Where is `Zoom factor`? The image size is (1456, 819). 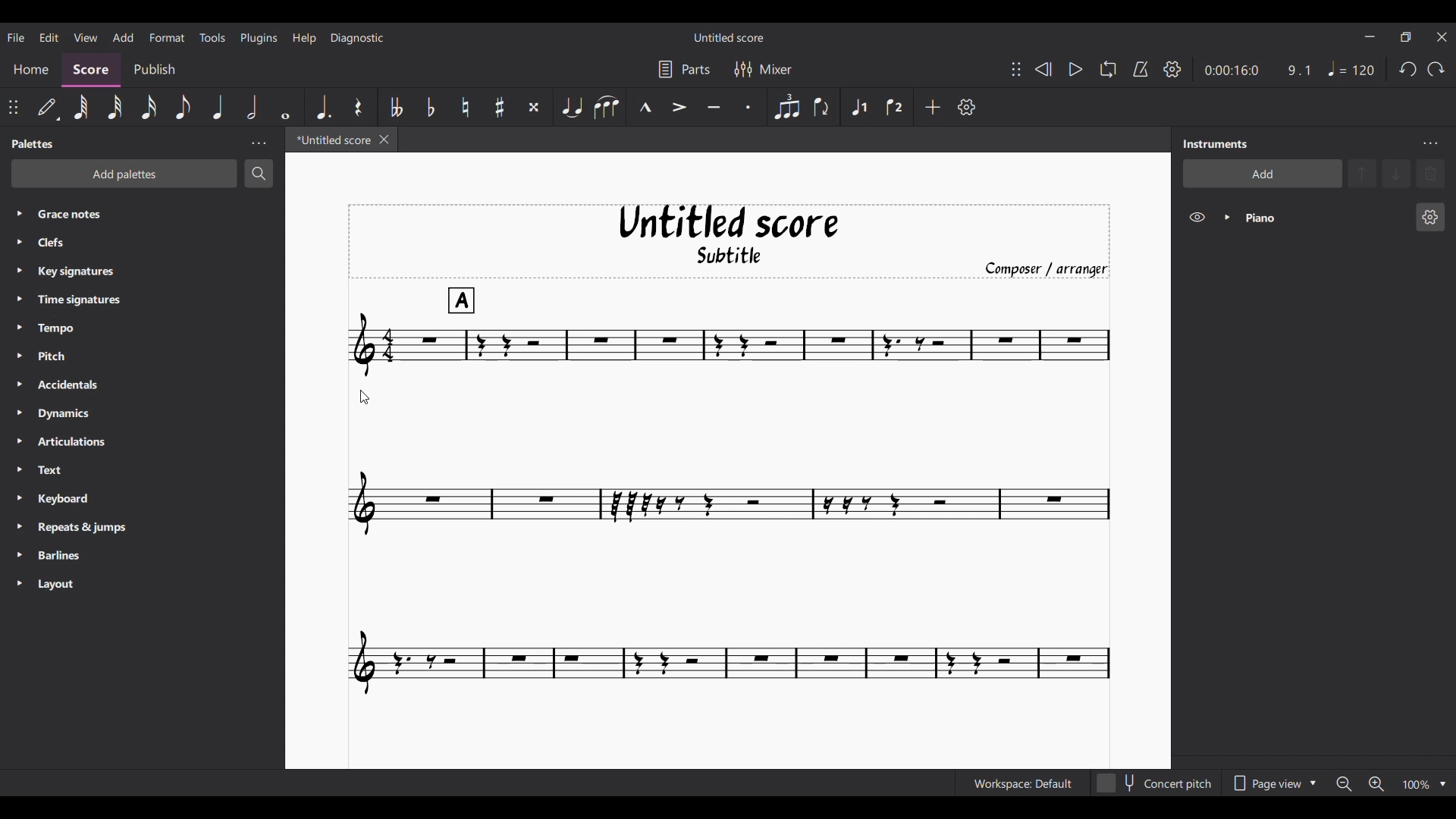 Zoom factor is located at coordinates (1417, 785).